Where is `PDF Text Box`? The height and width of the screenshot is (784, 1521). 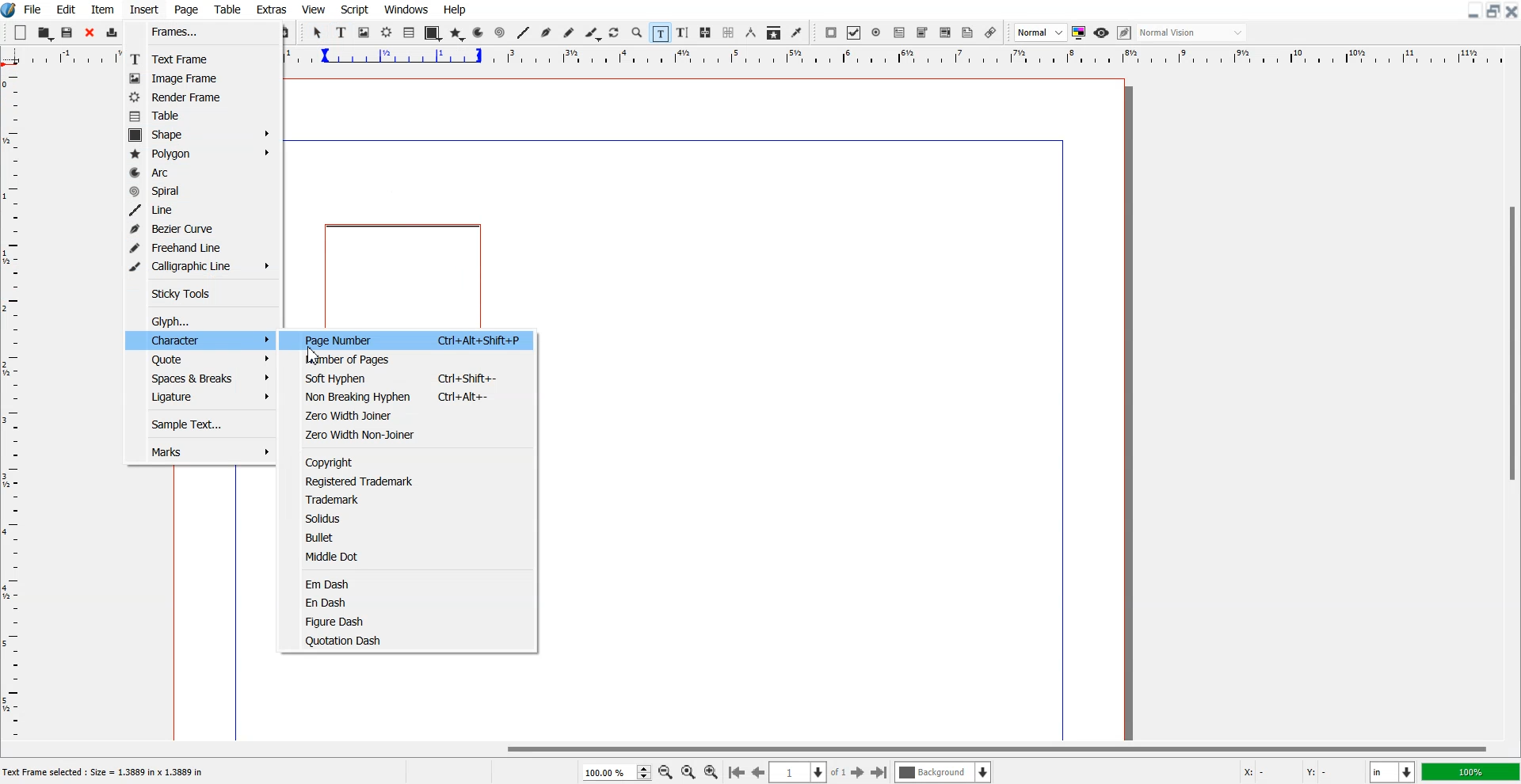
PDF Text Box is located at coordinates (899, 32).